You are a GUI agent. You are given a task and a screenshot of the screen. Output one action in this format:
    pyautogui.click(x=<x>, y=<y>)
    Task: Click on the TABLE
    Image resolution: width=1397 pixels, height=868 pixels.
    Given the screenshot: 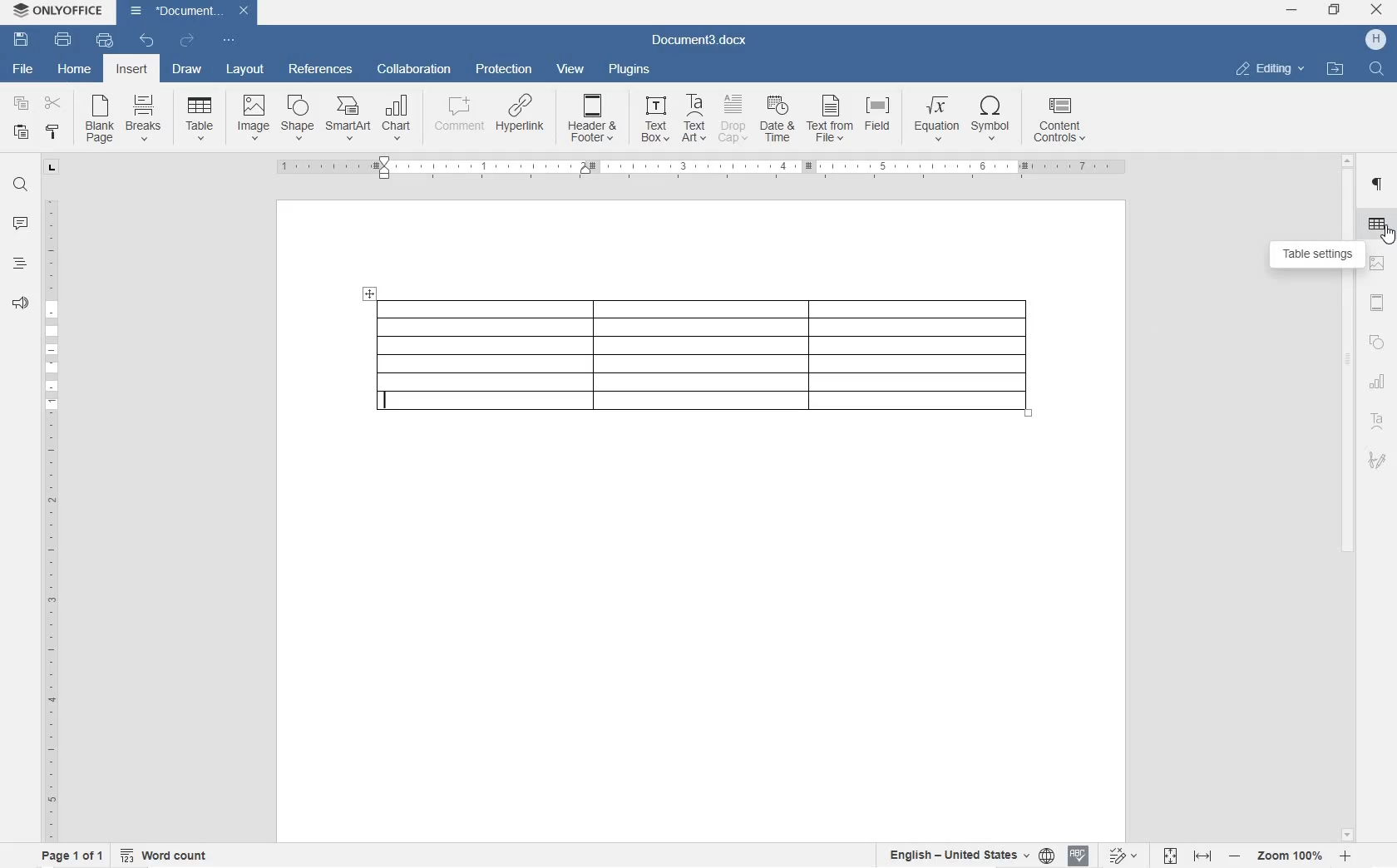 What is the action you would take?
    pyautogui.click(x=706, y=357)
    